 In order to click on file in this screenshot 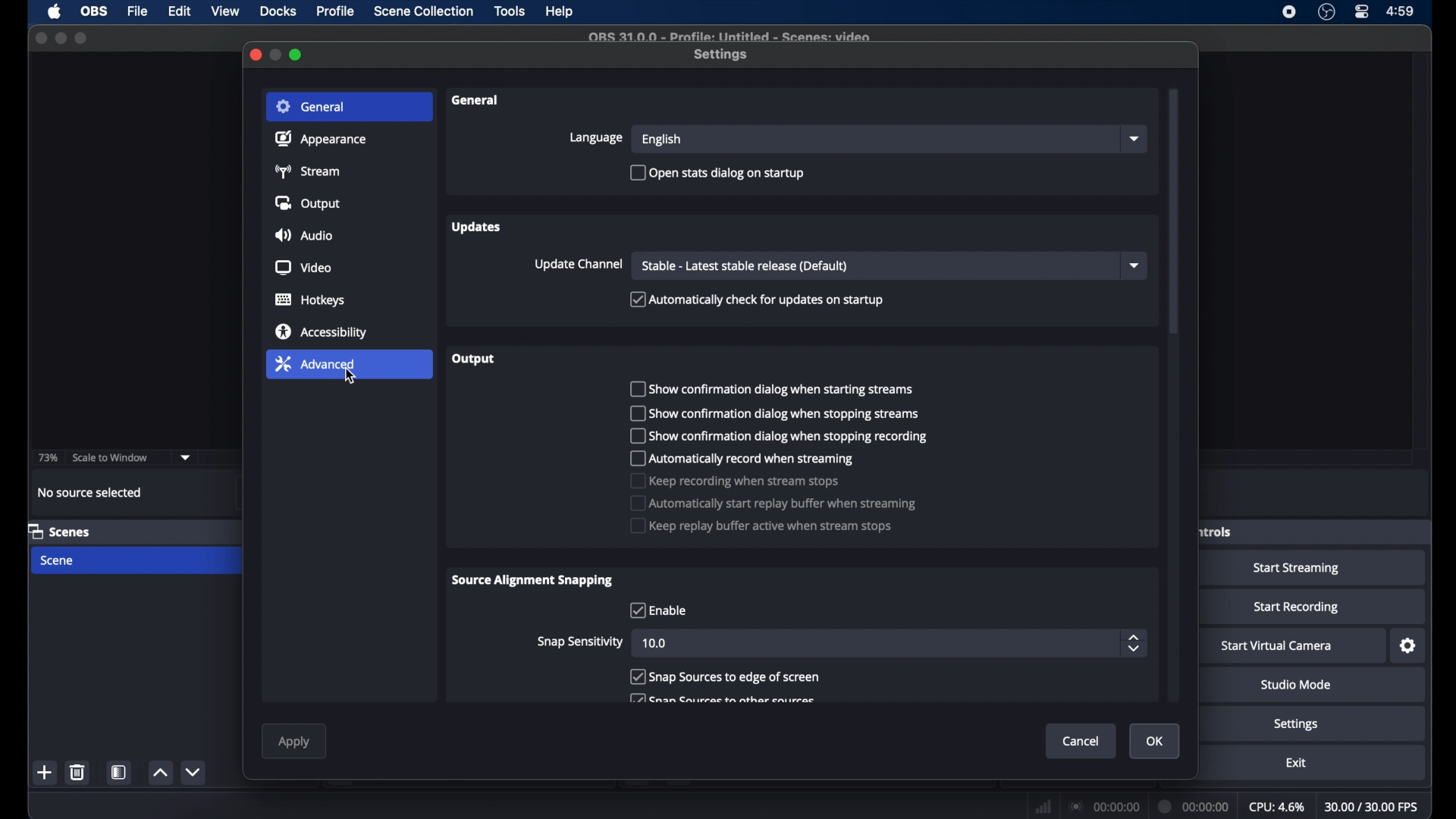, I will do `click(140, 11)`.